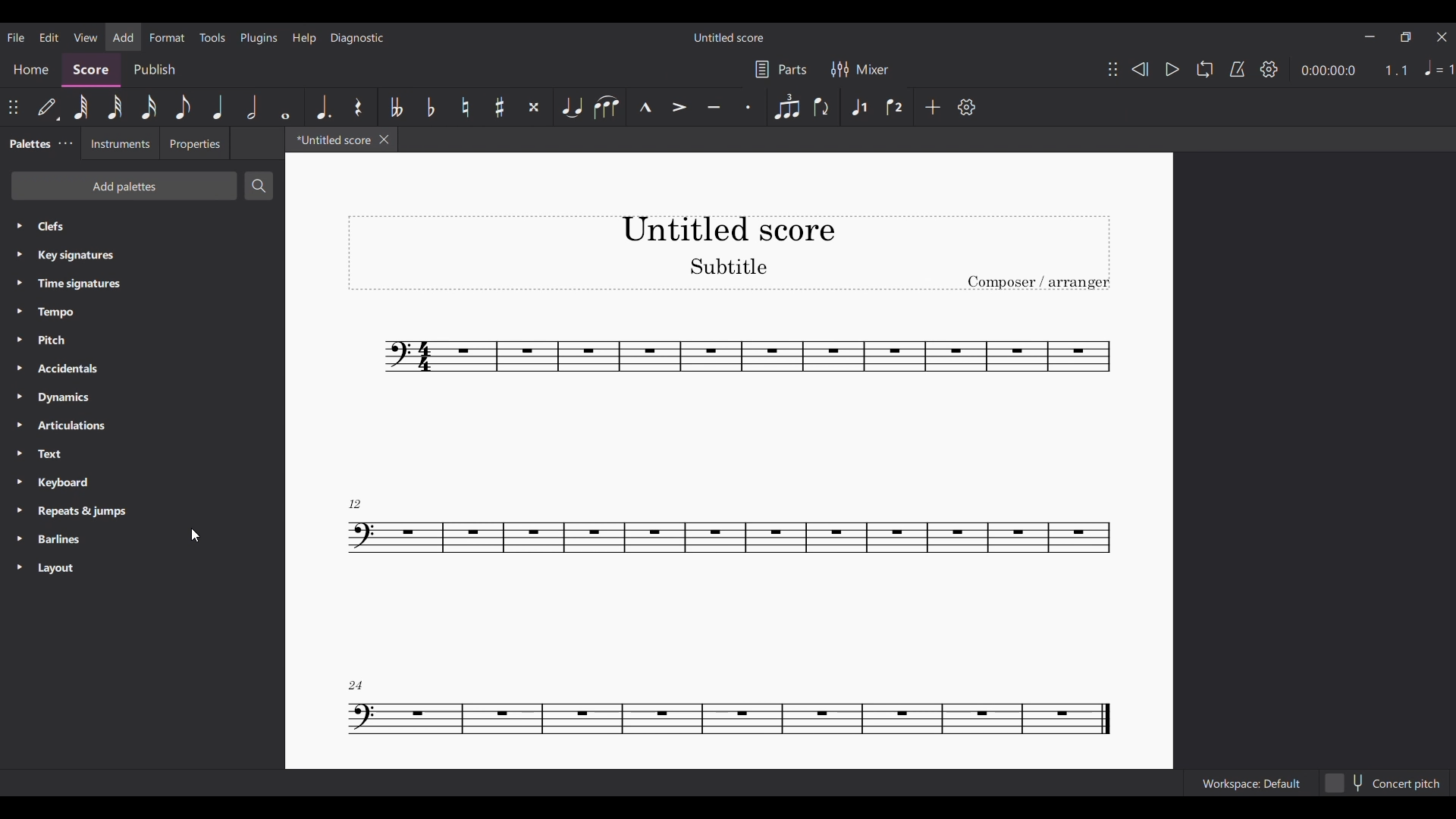 Image resolution: width=1456 pixels, height=819 pixels. I want to click on Music note, so click(704, 356).